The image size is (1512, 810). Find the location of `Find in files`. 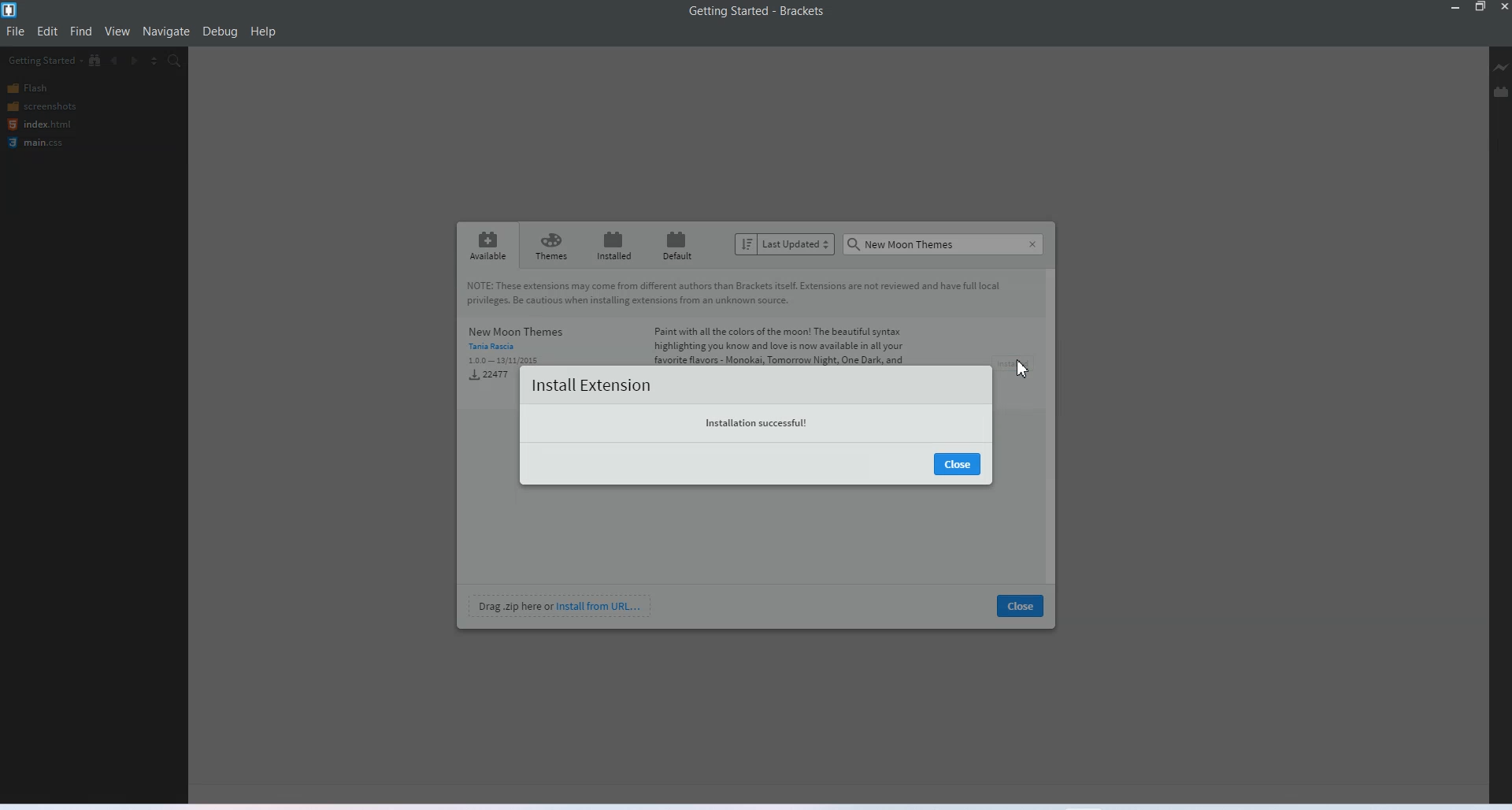

Find in files is located at coordinates (175, 61).